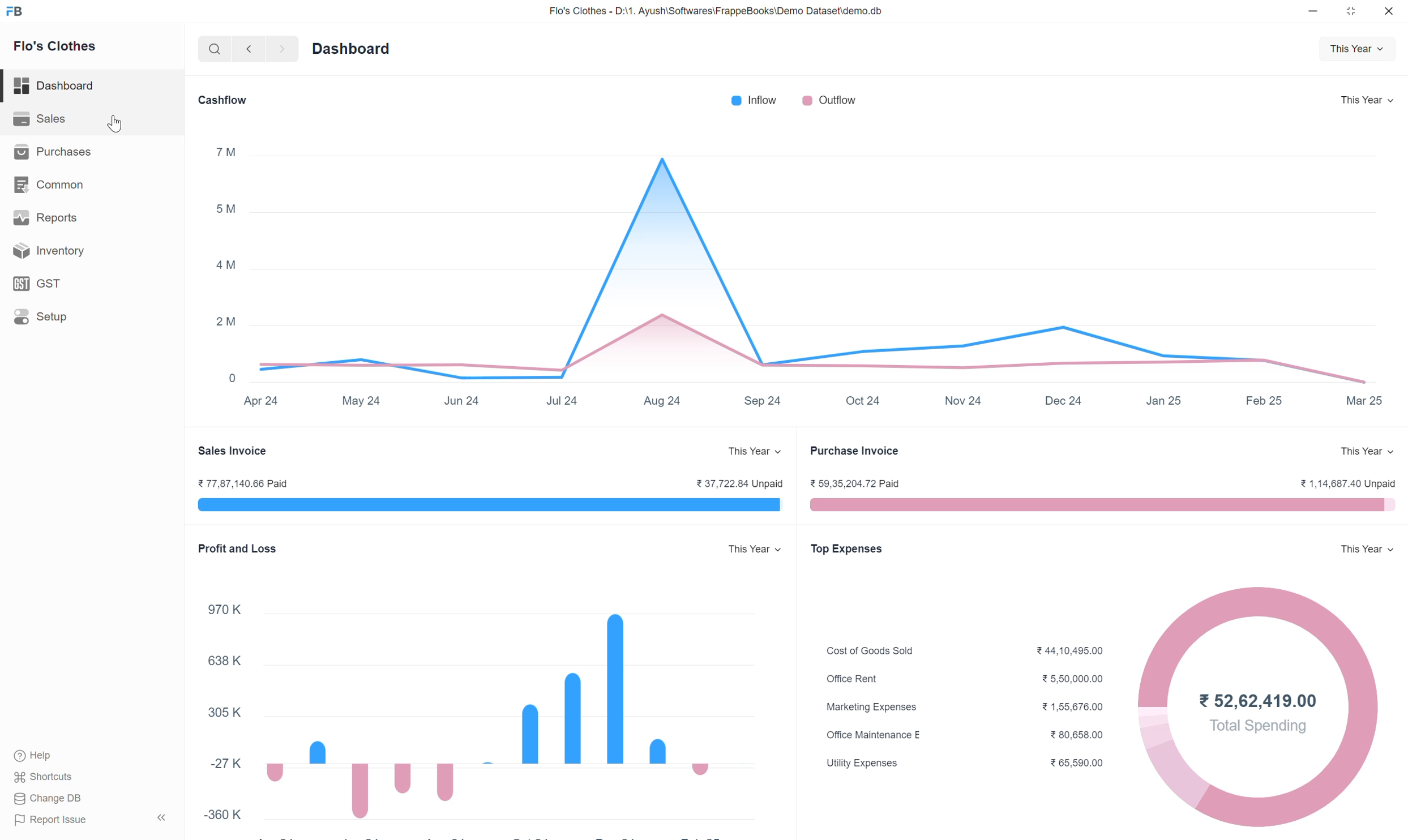 This screenshot has height=840, width=1408. What do you see at coordinates (1067, 649) in the screenshot?
I see `244,10,495.00` at bounding box center [1067, 649].